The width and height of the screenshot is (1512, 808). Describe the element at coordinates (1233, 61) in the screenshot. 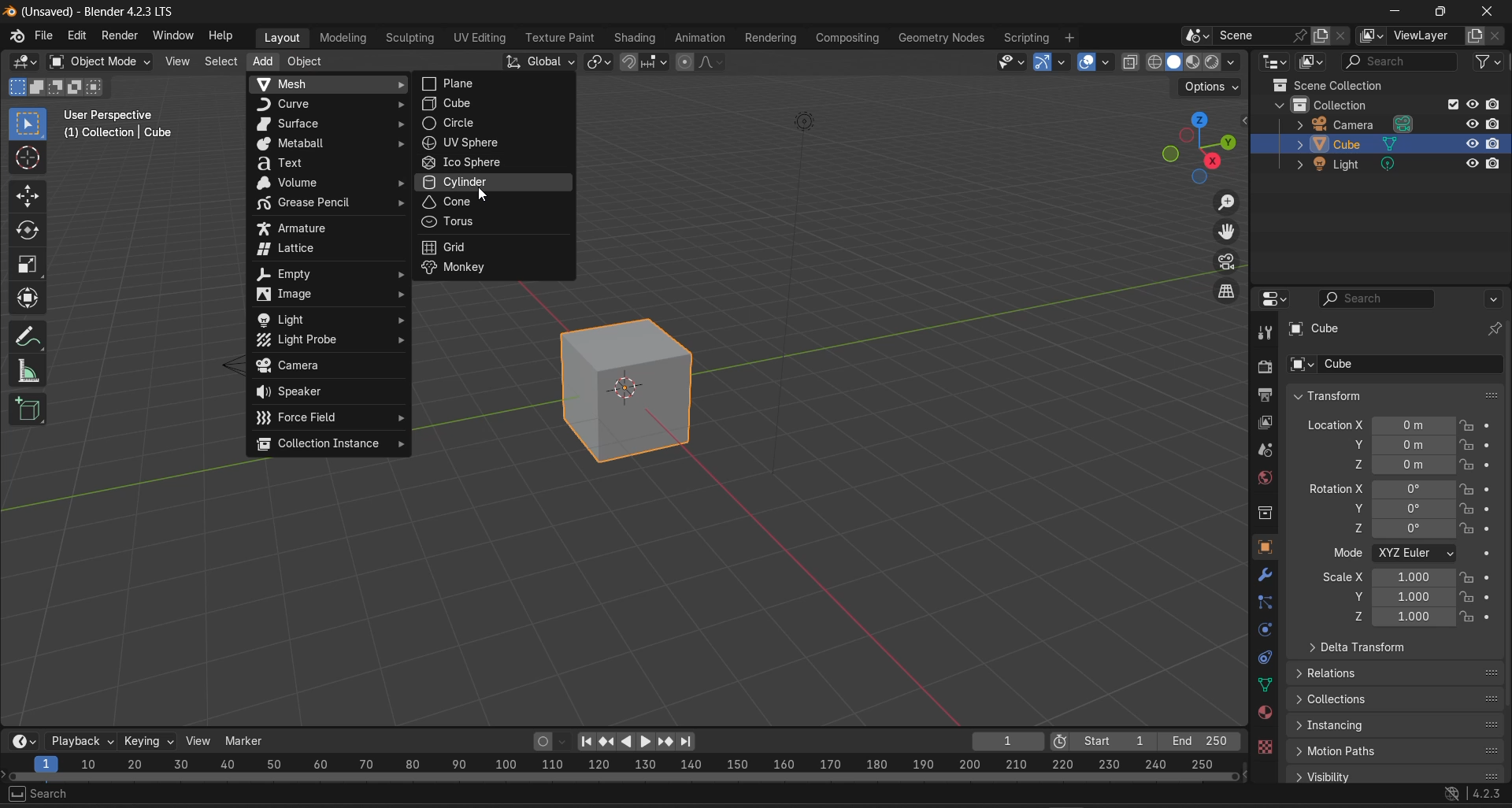

I see `shading` at that location.